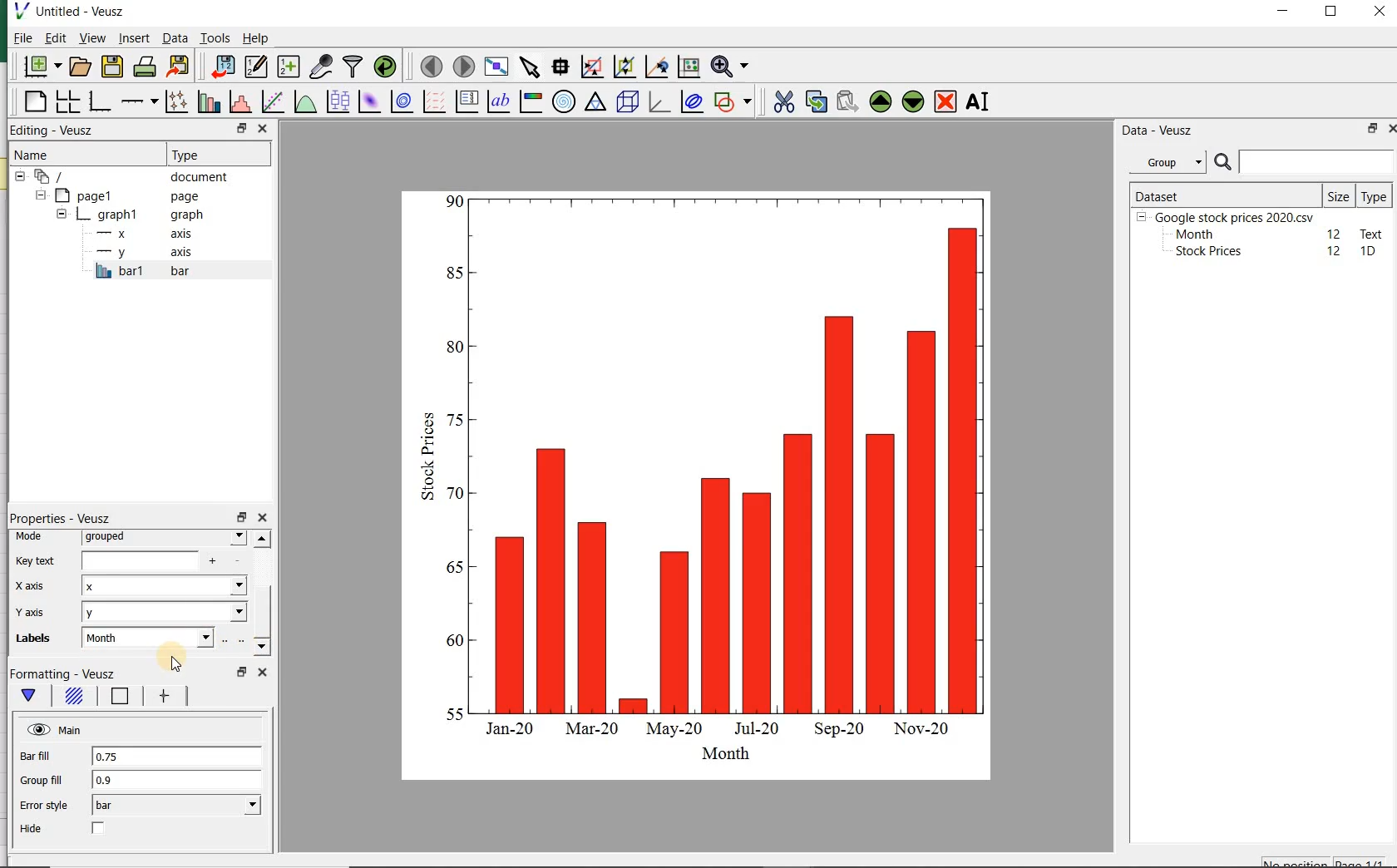  Describe the element at coordinates (262, 128) in the screenshot. I see `close` at that location.